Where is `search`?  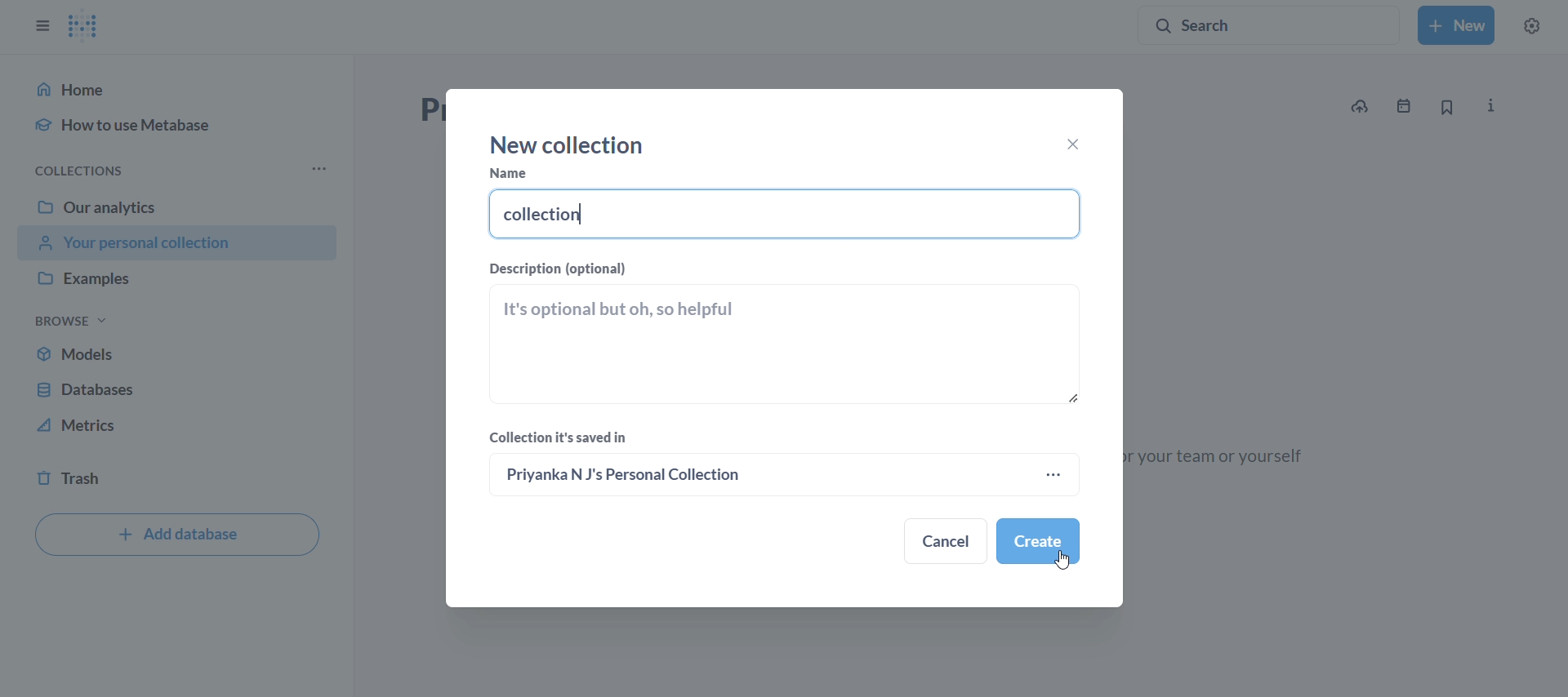 search is located at coordinates (1271, 22).